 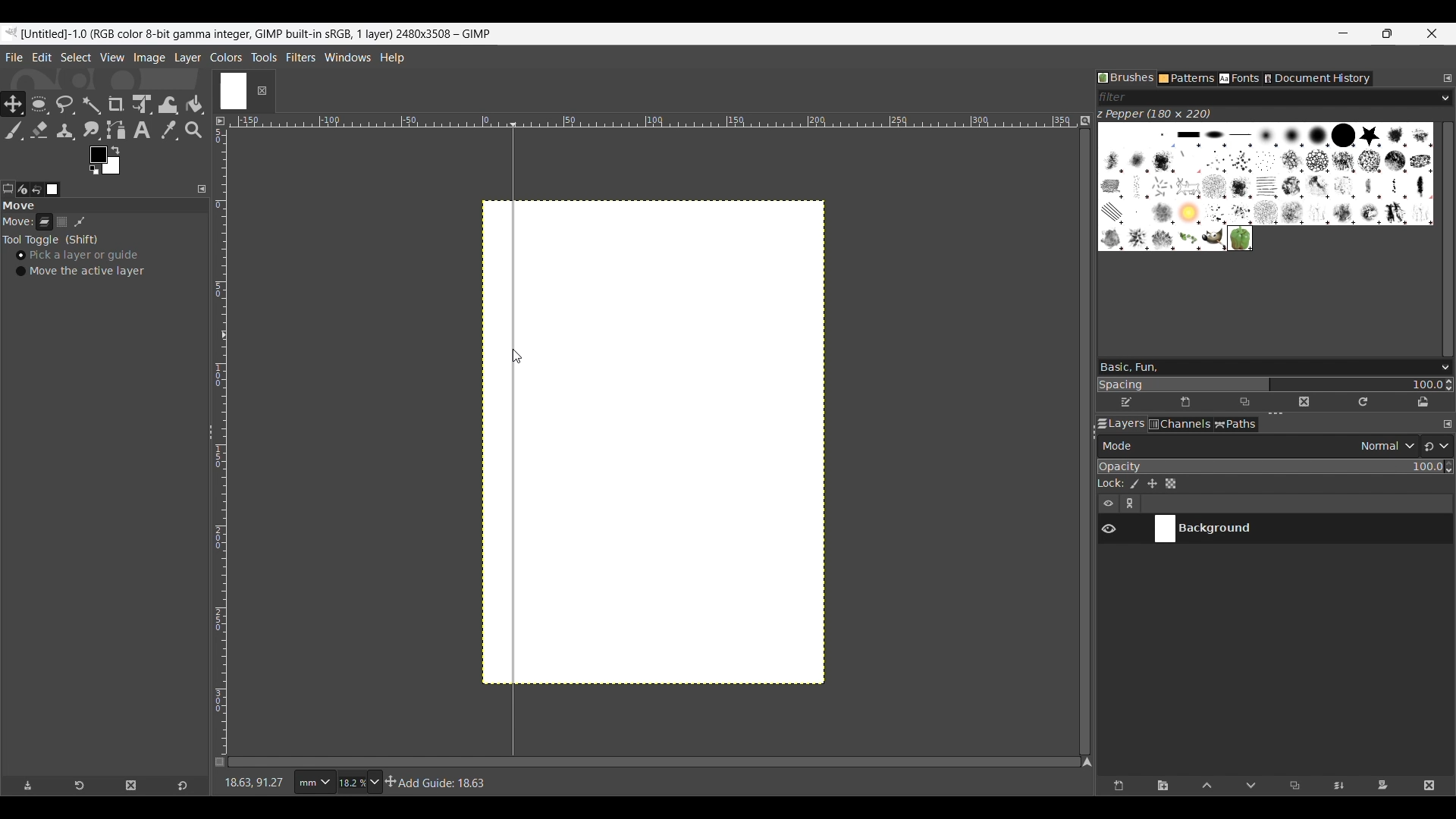 What do you see at coordinates (53, 190) in the screenshot?
I see `Images` at bounding box center [53, 190].